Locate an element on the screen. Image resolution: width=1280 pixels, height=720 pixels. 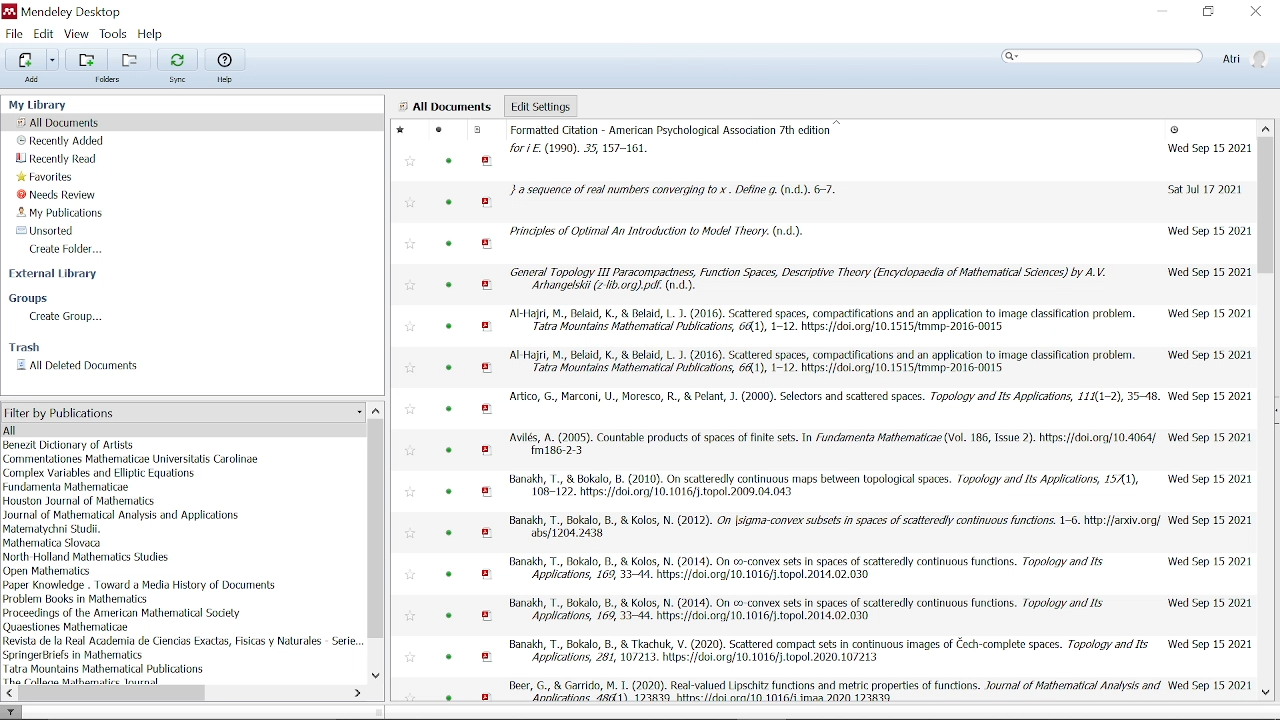
favourite is located at coordinates (411, 618).